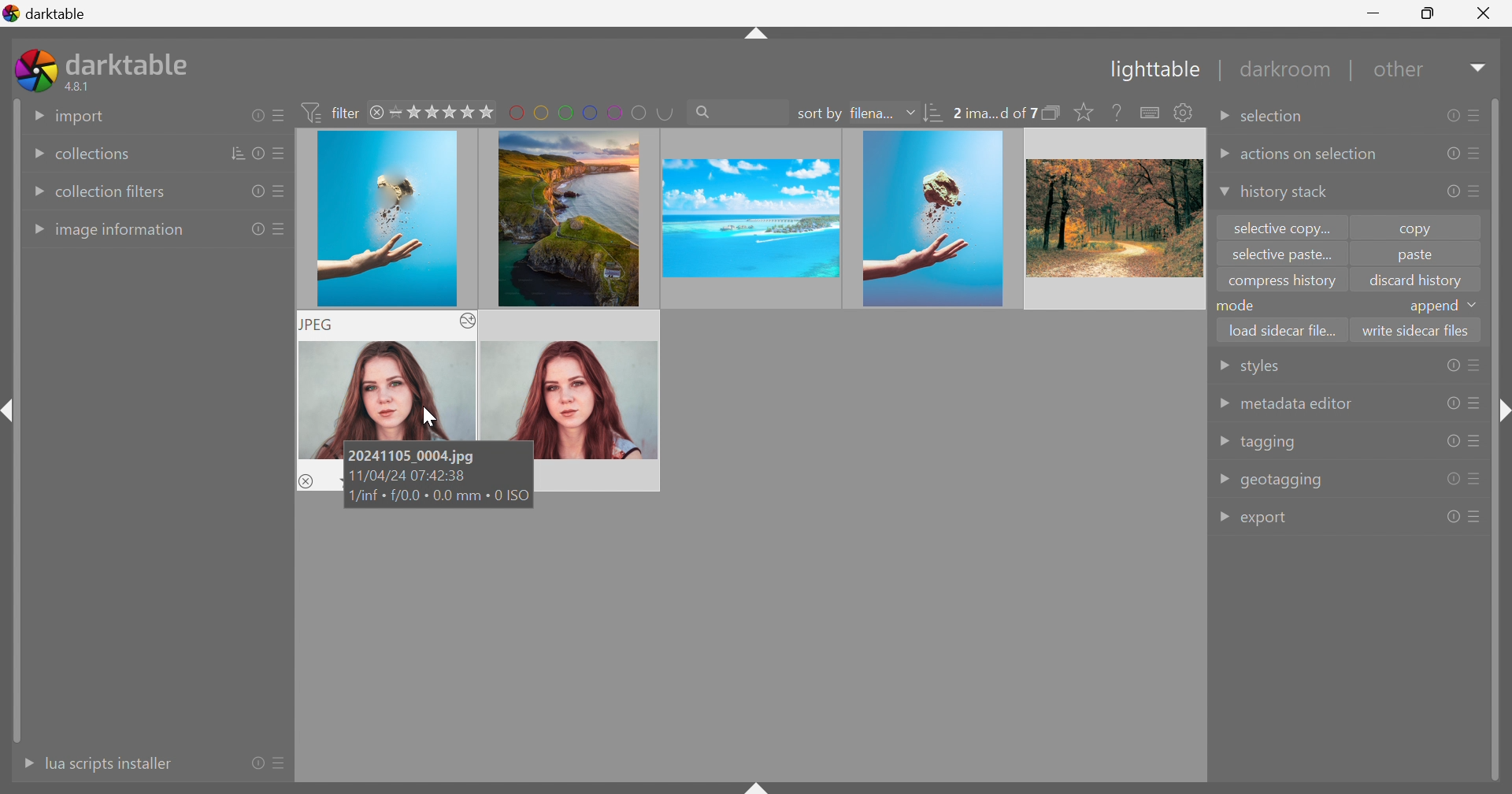 Image resolution: width=1512 pixels, height=794 pixels. What do you see at coordinates (1449, 153) in the screenshot?
I see `reset` at bounding box center [1449, 153].